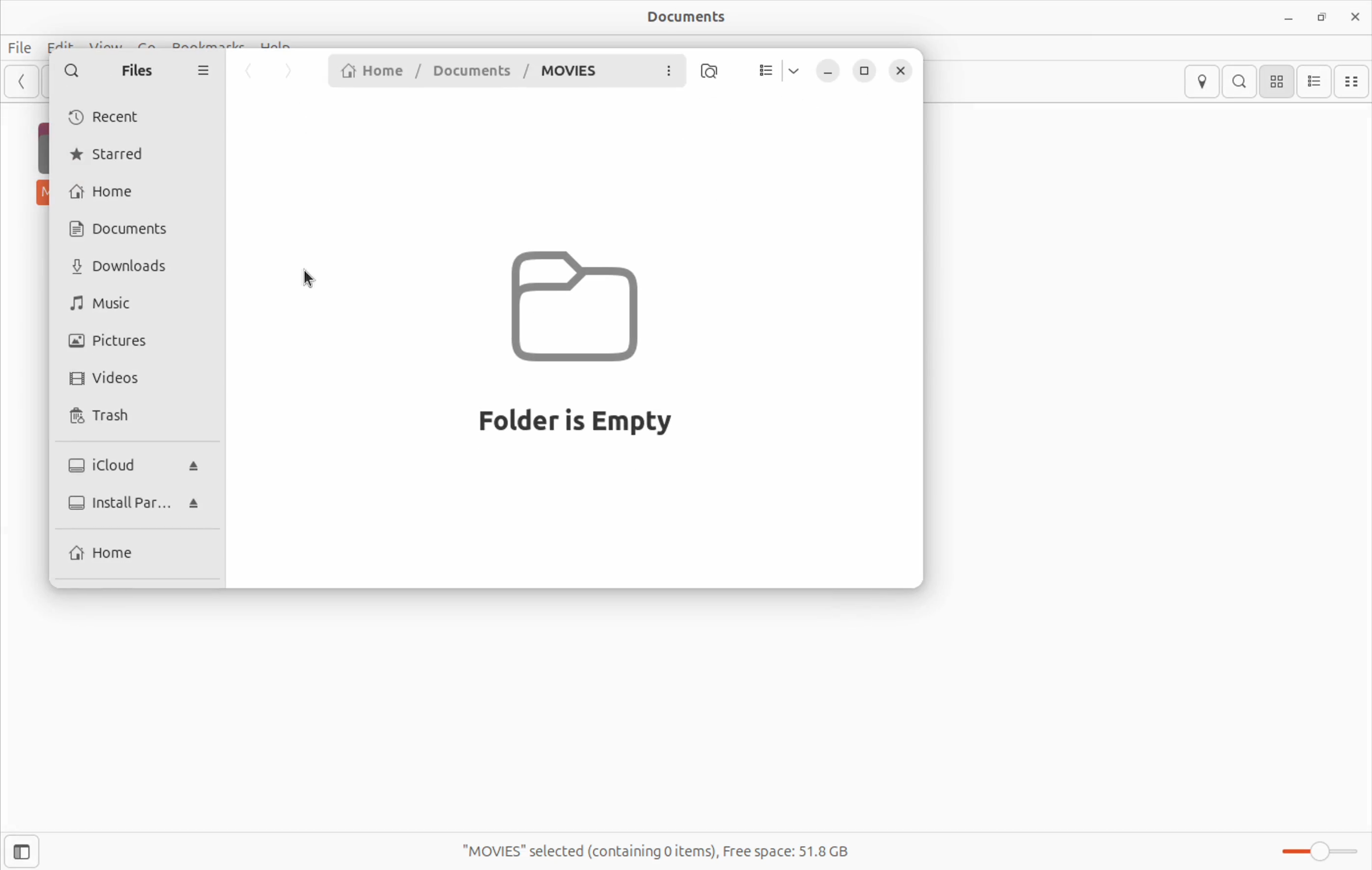 The image size is (1372, 870). What do you see at coordinates (136, 461) in the screenshot?
I see `iCloud` at bounding box center [136, 461].